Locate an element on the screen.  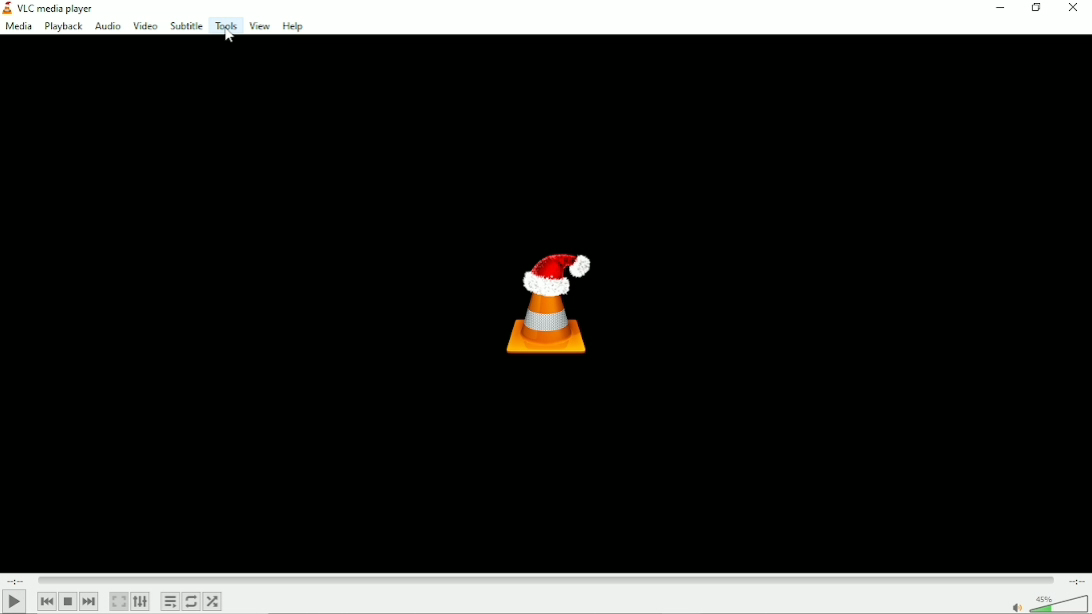
VLC media player is located at coordinates (48, 8).